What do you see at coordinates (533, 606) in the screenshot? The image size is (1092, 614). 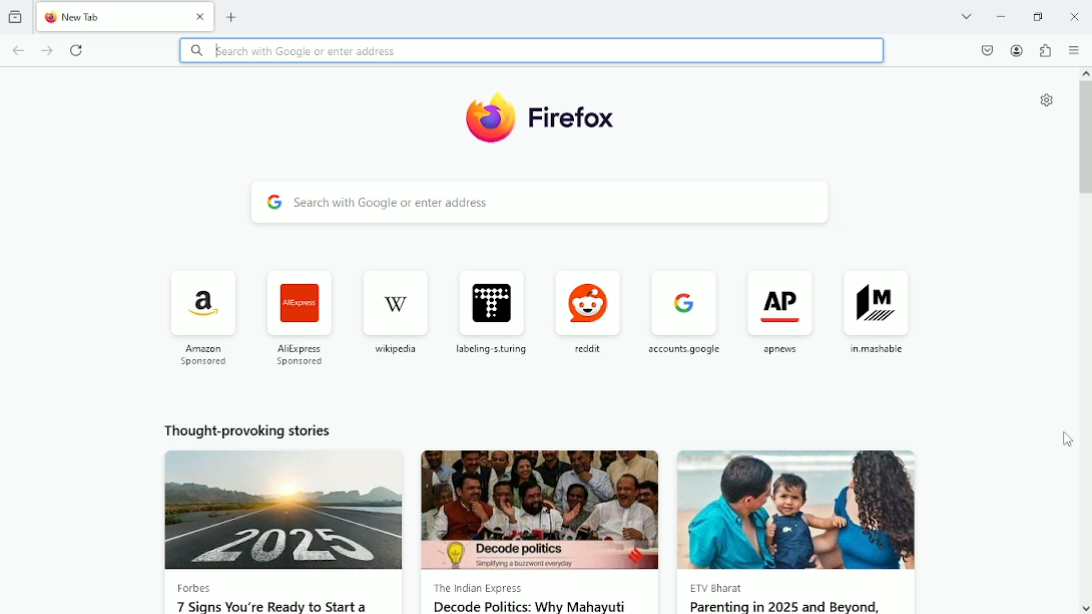 I see `Decode Politics: Why Mahay` at bounding box center [533, 606].